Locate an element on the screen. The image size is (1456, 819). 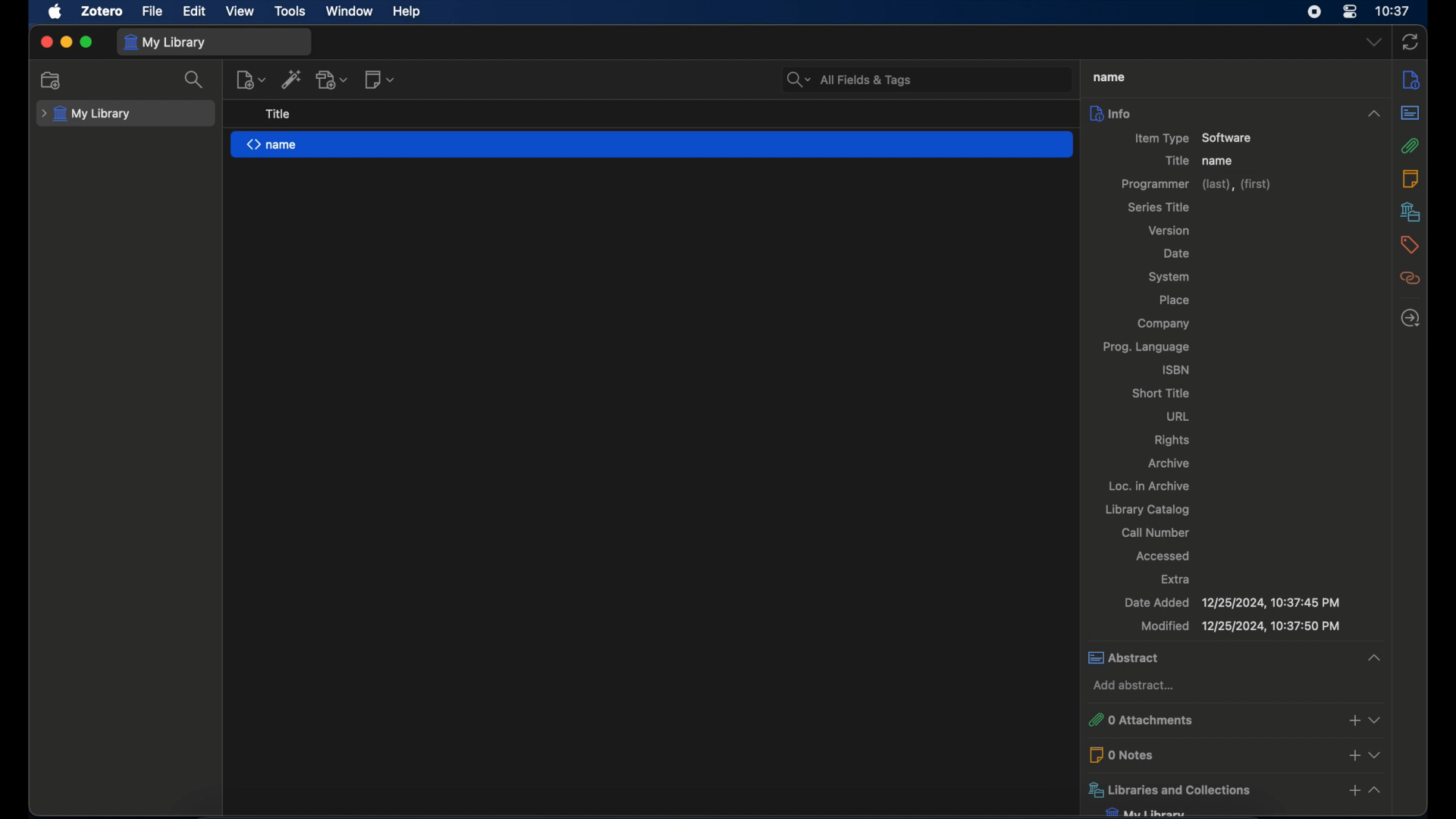
archive is located at coordinates (1169, 463).